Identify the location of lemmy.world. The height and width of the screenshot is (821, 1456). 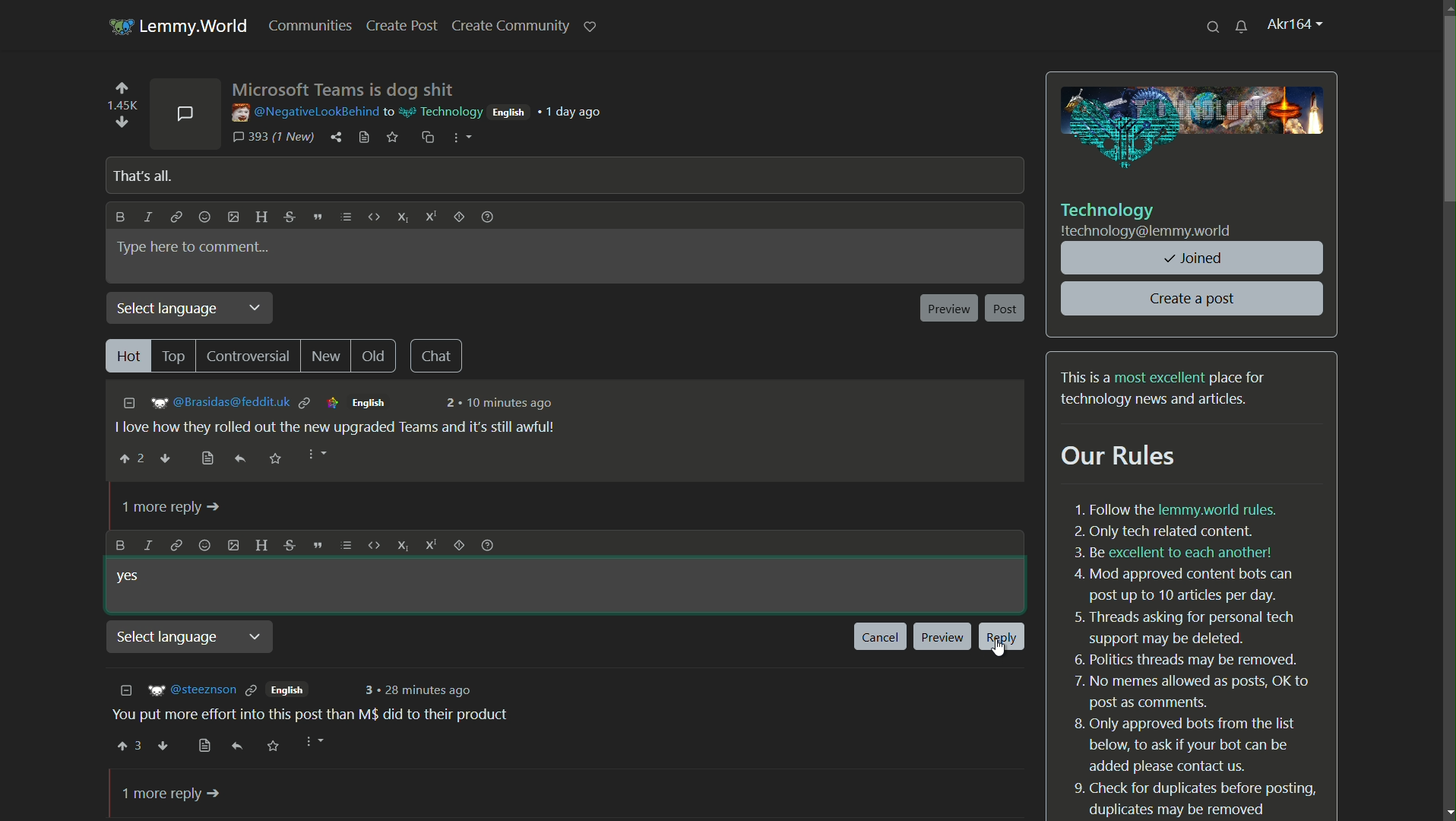
(197, 27).